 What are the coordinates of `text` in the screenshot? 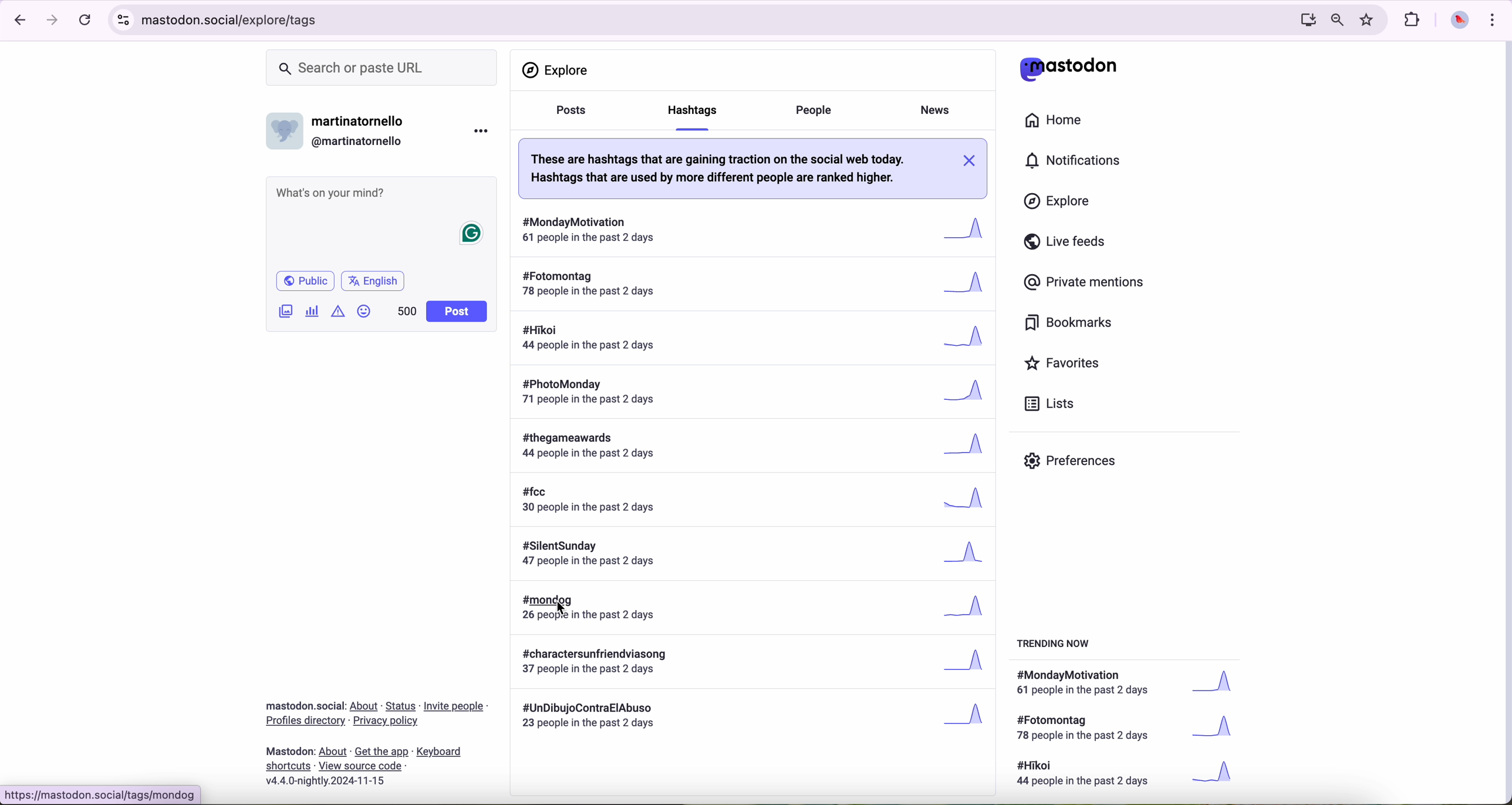 It's located at (1089, 684).